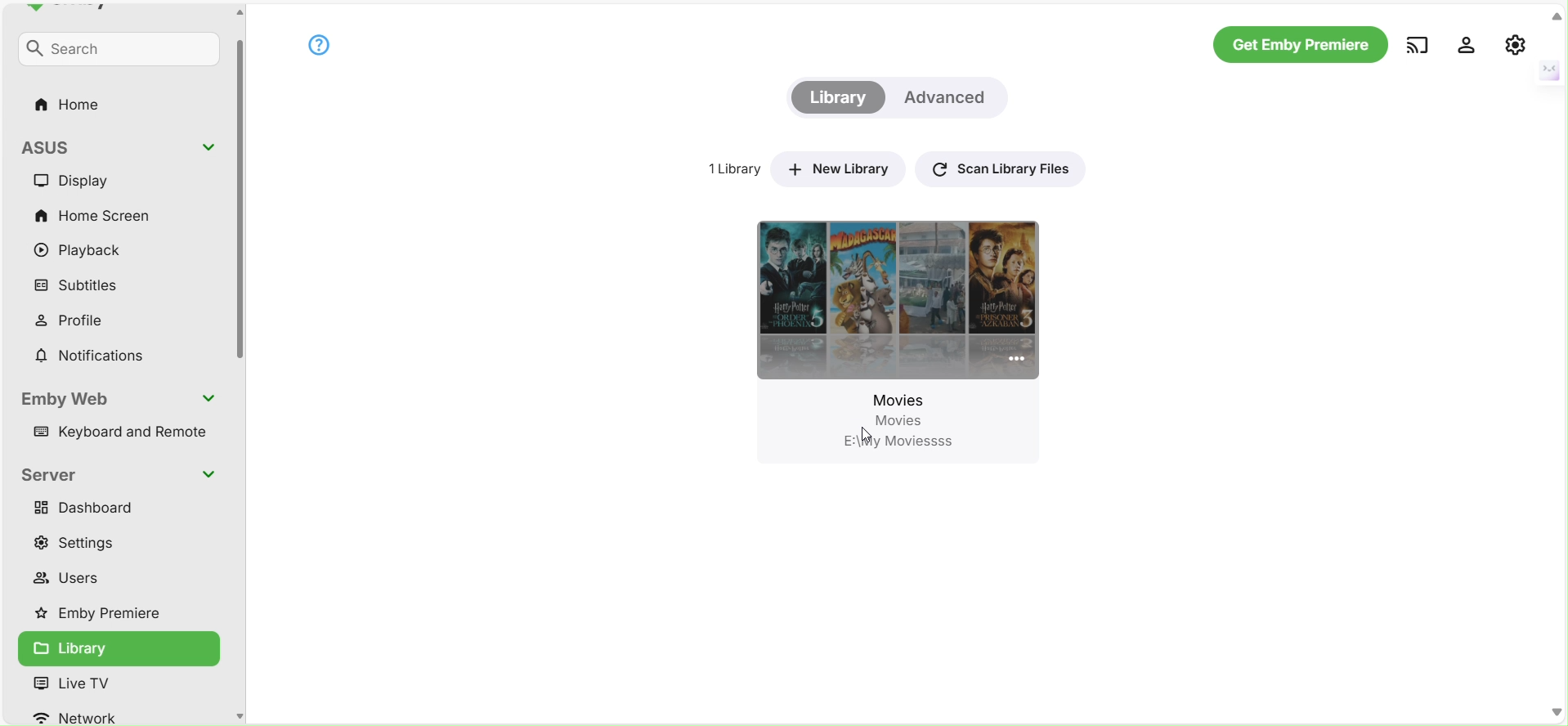 This screenshot has height=726, width=1568. I want to click on Settings, so click(88, 545).